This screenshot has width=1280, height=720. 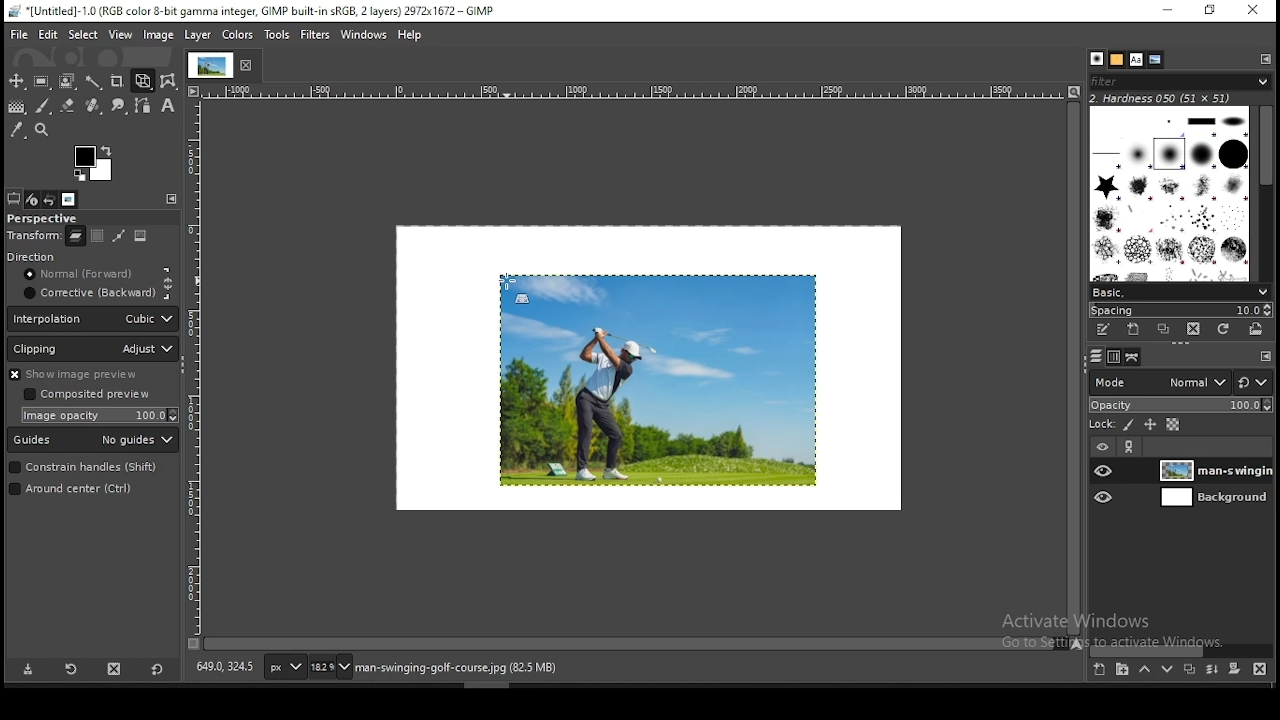 What do you see at coordinates (42, 131) in the screenshot?
I see `zoom tool` at bounding box center [42, 131].